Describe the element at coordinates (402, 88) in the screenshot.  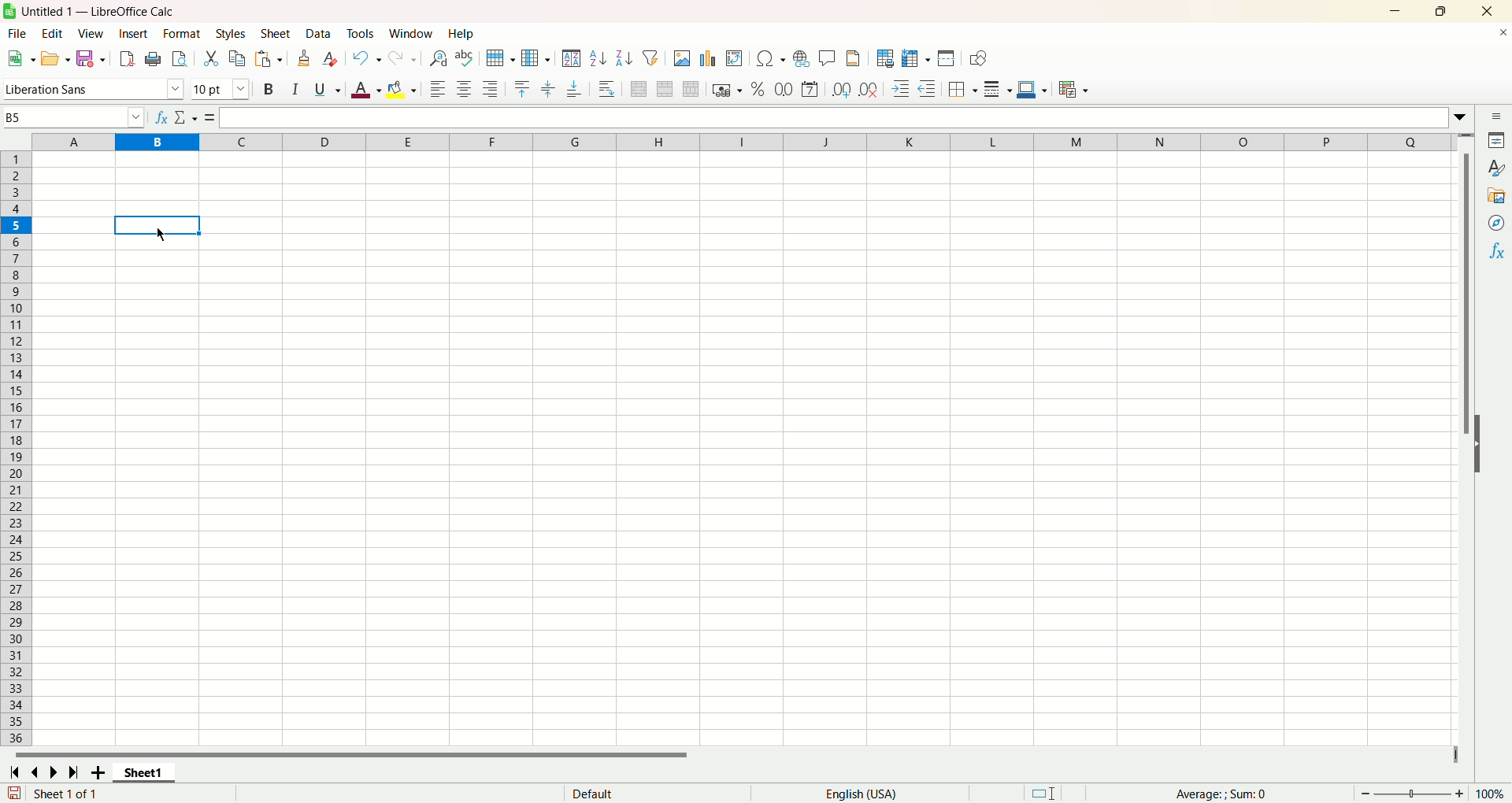
I see `background color` at that location.